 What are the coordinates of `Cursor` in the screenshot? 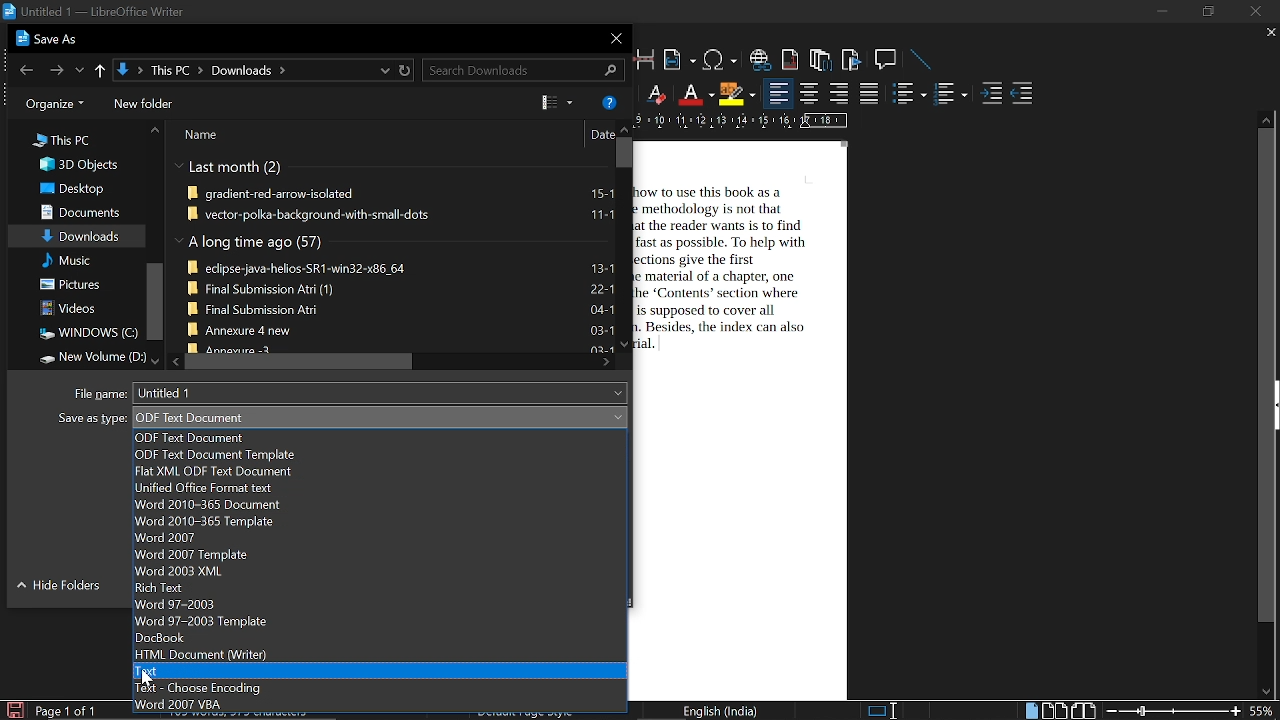 It's located at (153, 678).